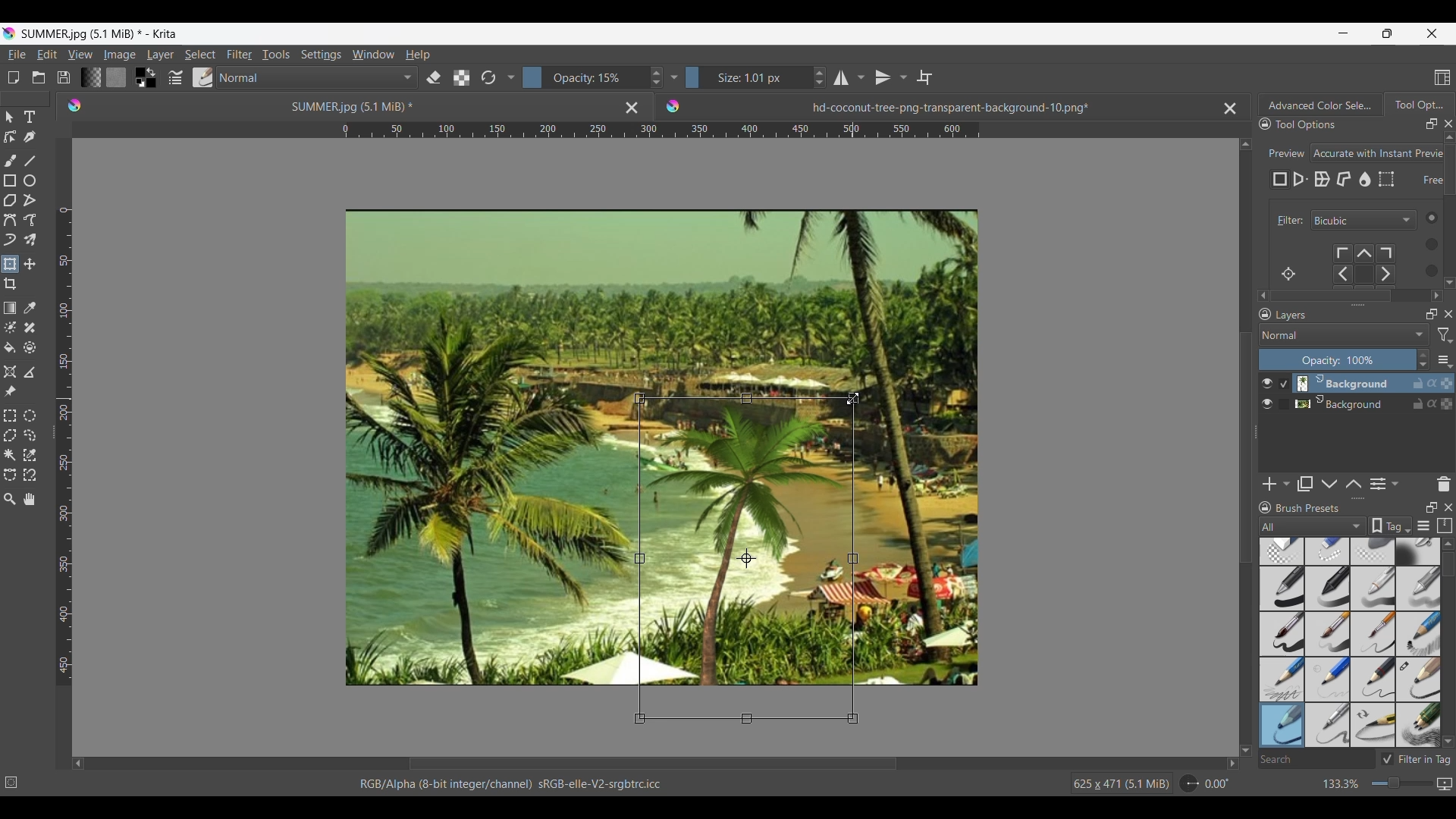 This screenshot has width=1456, height=819. What do you see at coordinates (10, 499) in the screenshot?
I see `Zoom tool` at bounding box center [10, 499].